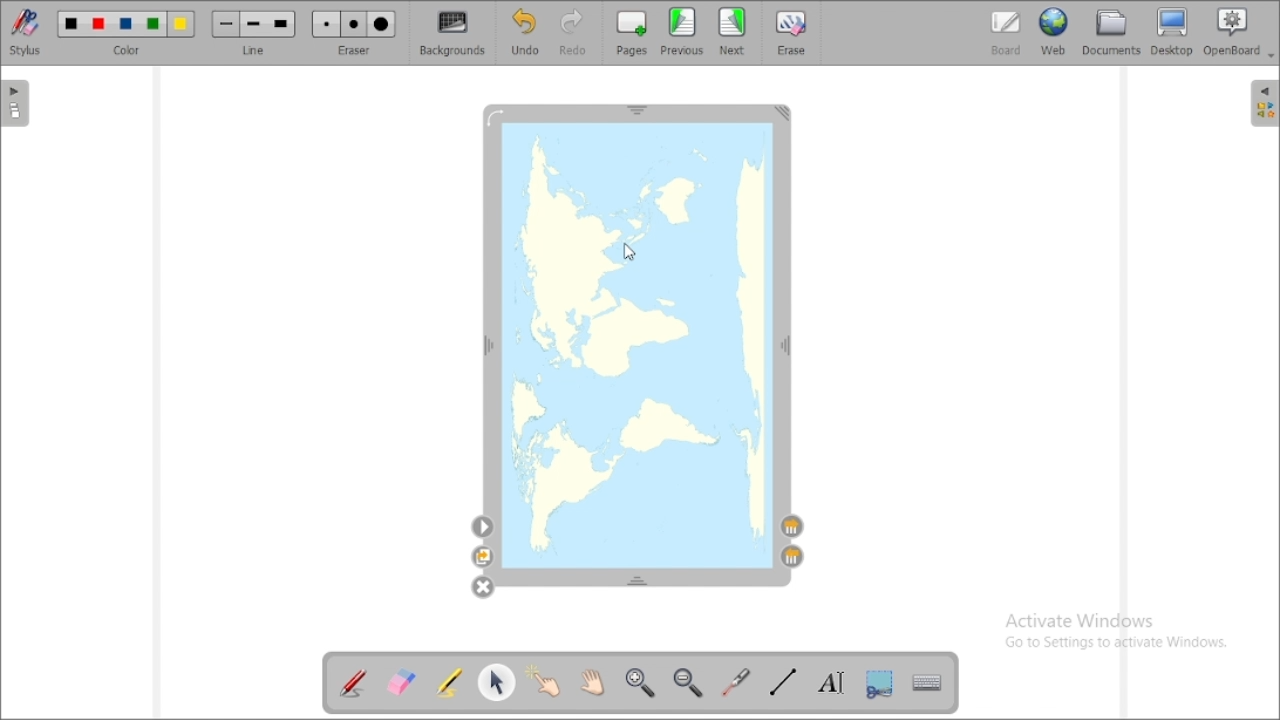 The width and height of the screenshot is (1280, 720). What do you see at coordinates (451, 33) in the screenshot?
I see `backgrounds` at bounding box center [451, 33].